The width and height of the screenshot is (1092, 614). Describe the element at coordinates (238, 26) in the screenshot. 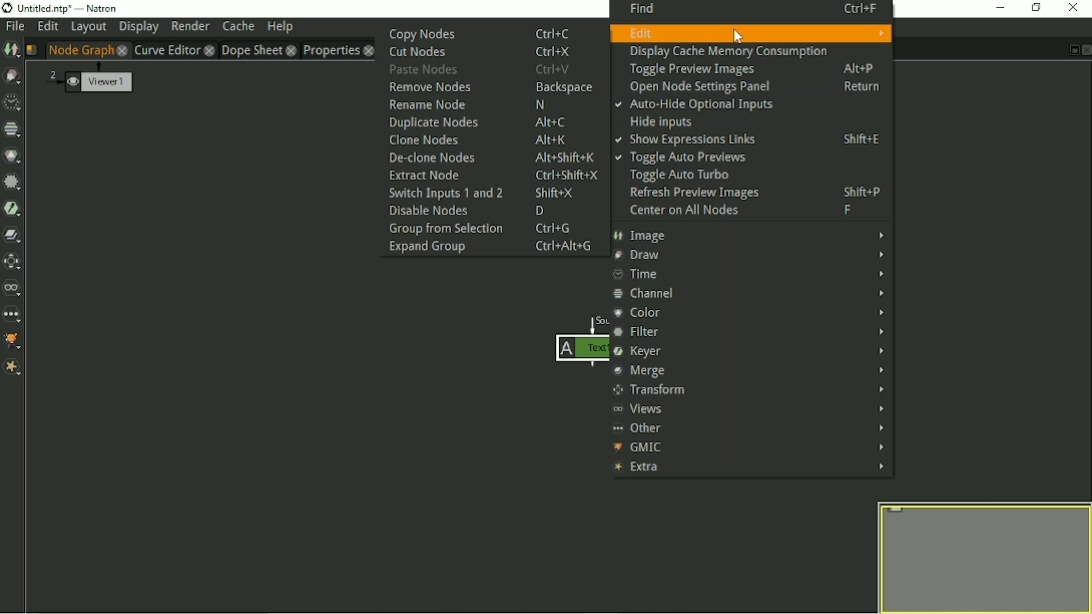

I see `Cache` at that location.